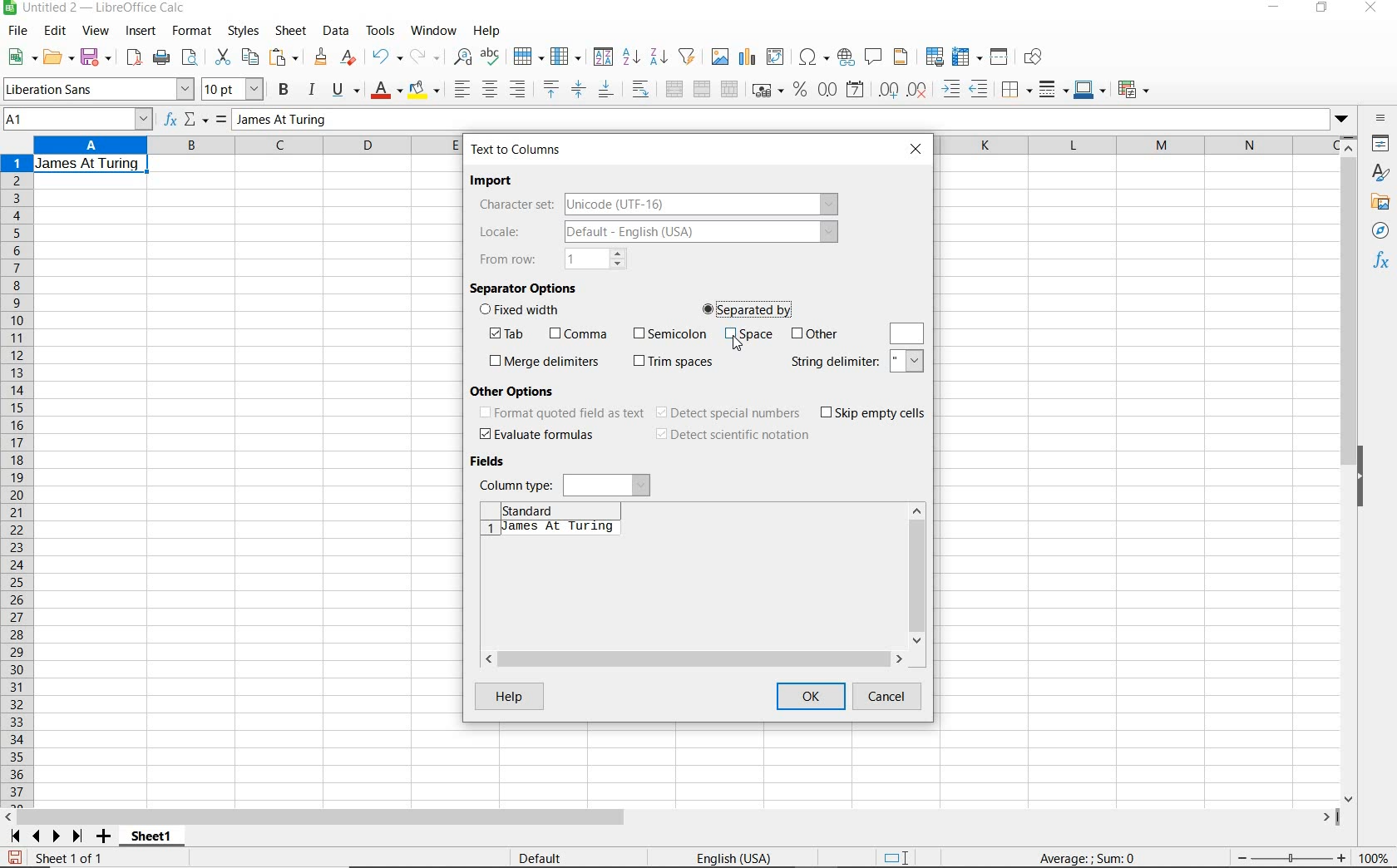 The image size is (1397, 868). Describe the element at coordinates (1111, 859) in the screenshot. I see `formula` at that location.